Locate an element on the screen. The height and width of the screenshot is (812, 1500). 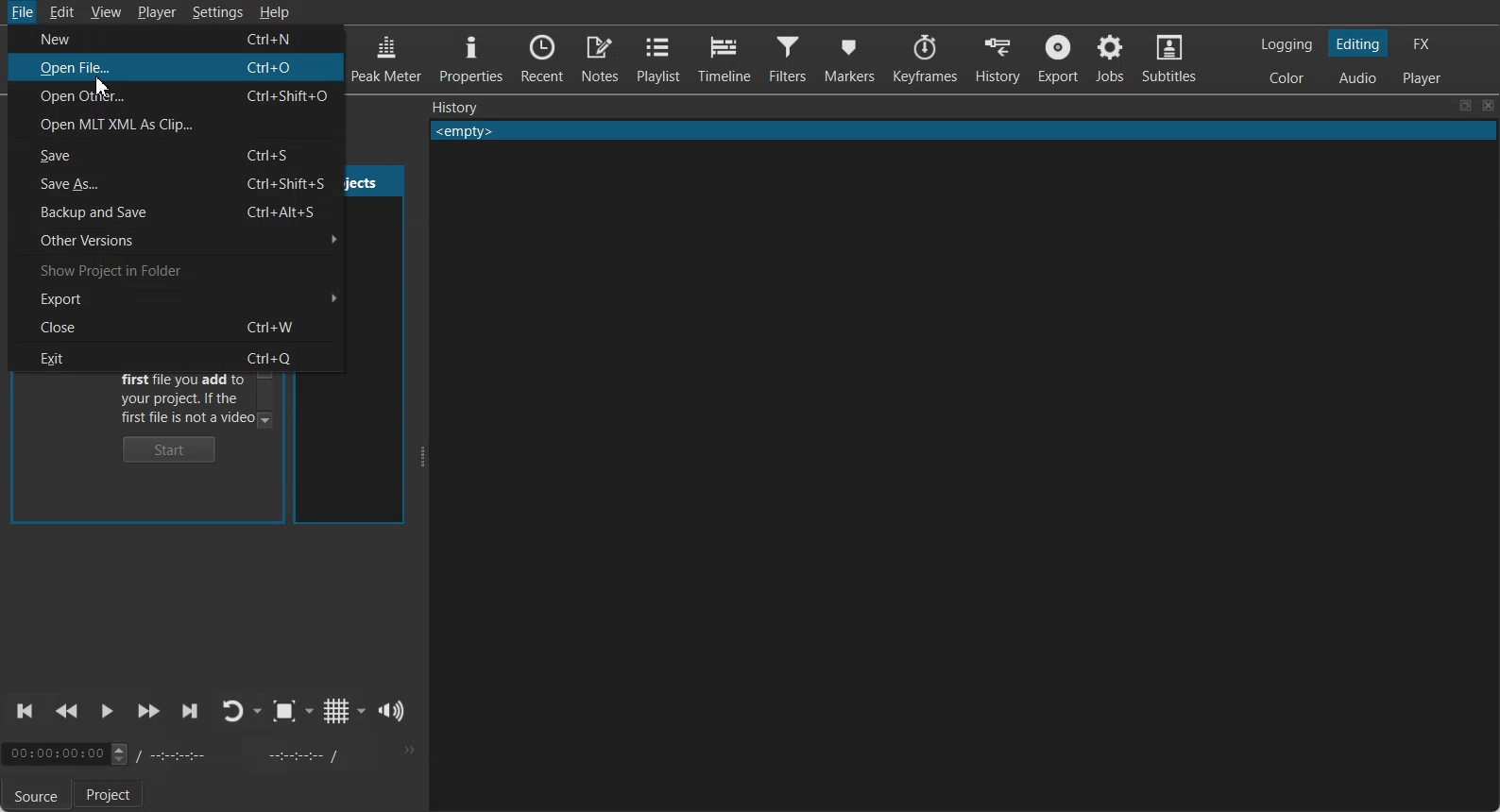
Switching to color Layout is located at coordinates (1287, 78).